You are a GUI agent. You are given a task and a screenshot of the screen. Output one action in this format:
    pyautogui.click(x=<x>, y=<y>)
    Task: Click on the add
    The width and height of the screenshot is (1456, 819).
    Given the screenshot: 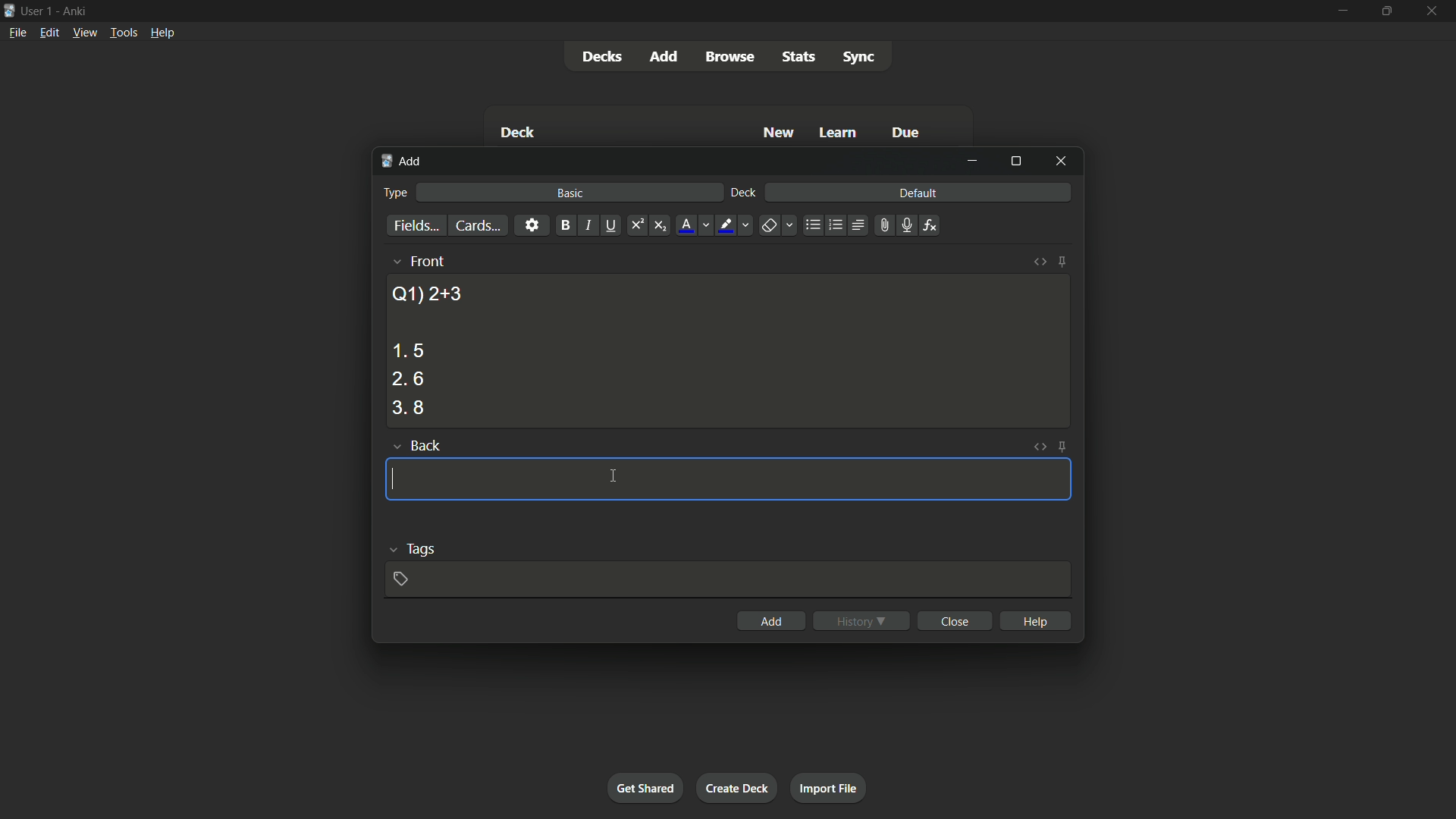 What is the action you would take?
    pyautogui.click(x=772, y=621)
    